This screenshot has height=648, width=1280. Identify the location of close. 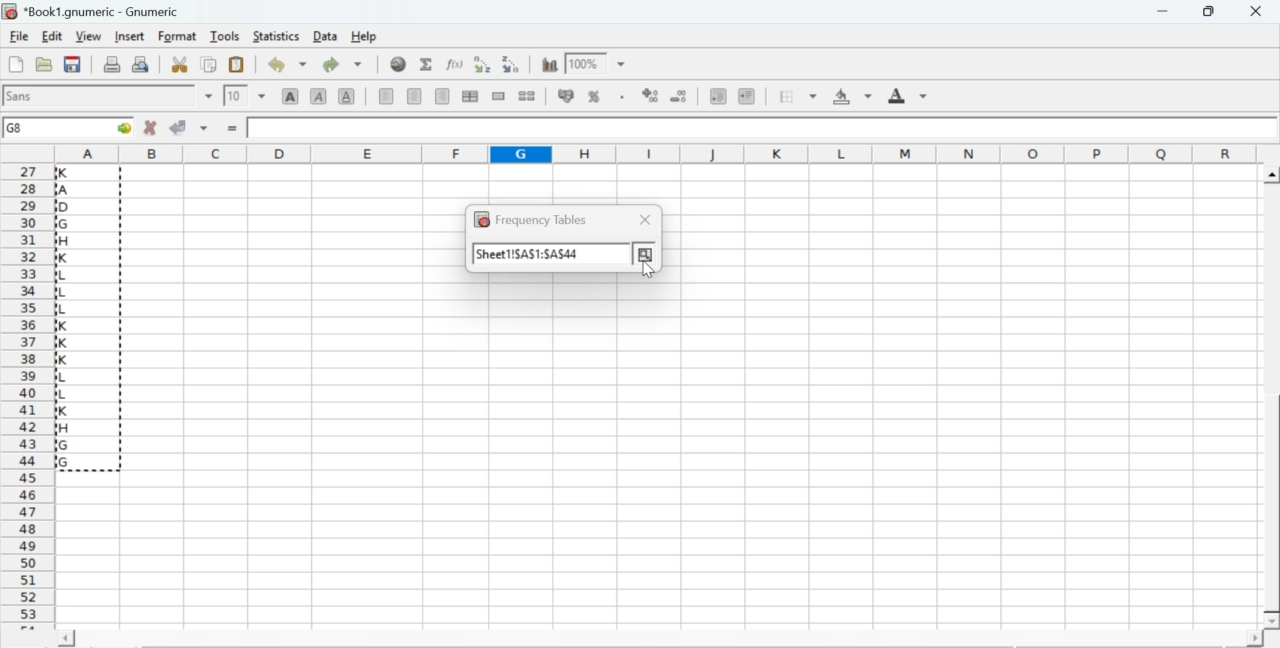
(1254, 11).